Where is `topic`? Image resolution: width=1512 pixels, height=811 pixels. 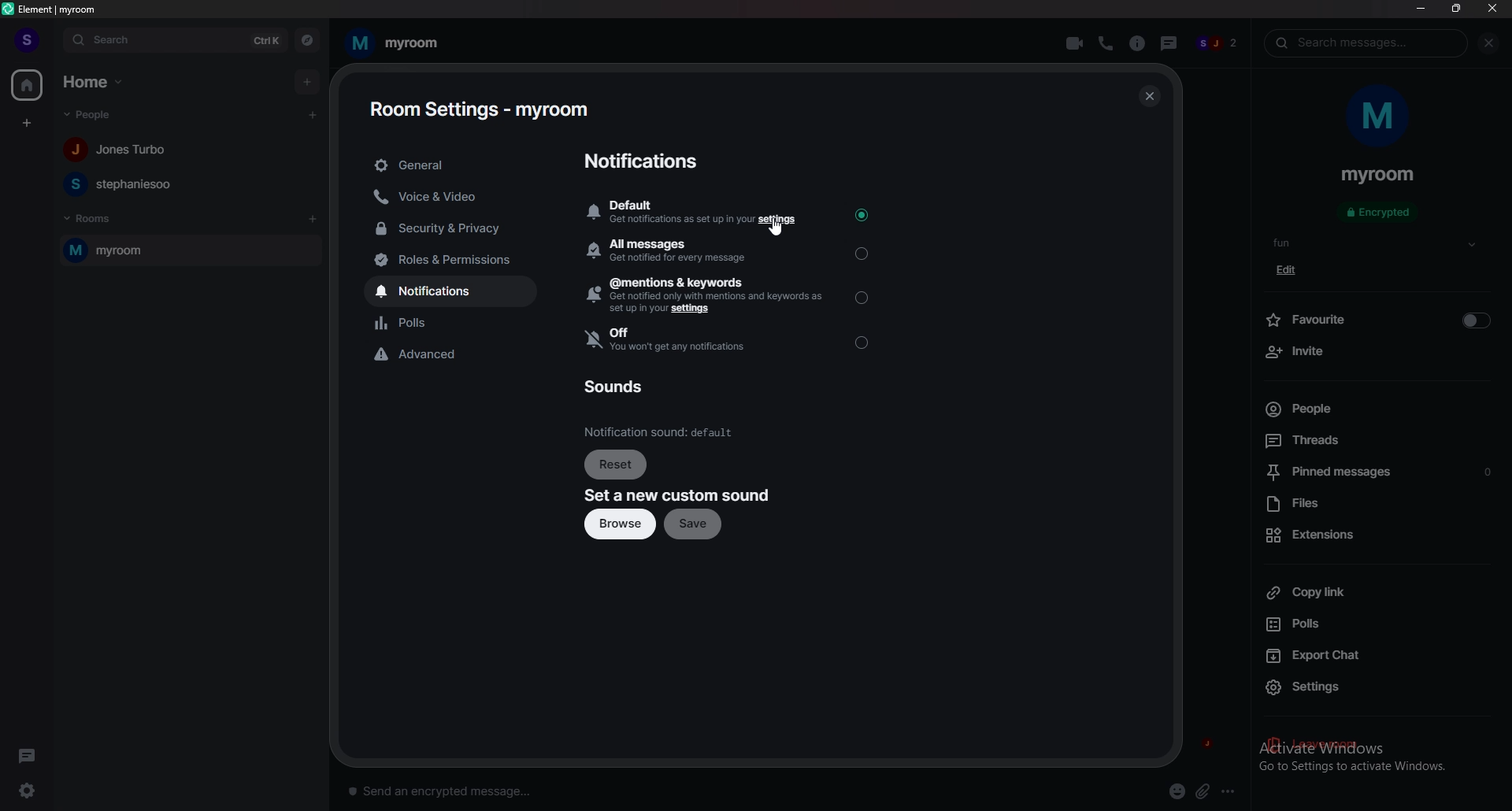
topic is located at coordinates (1294, 243).